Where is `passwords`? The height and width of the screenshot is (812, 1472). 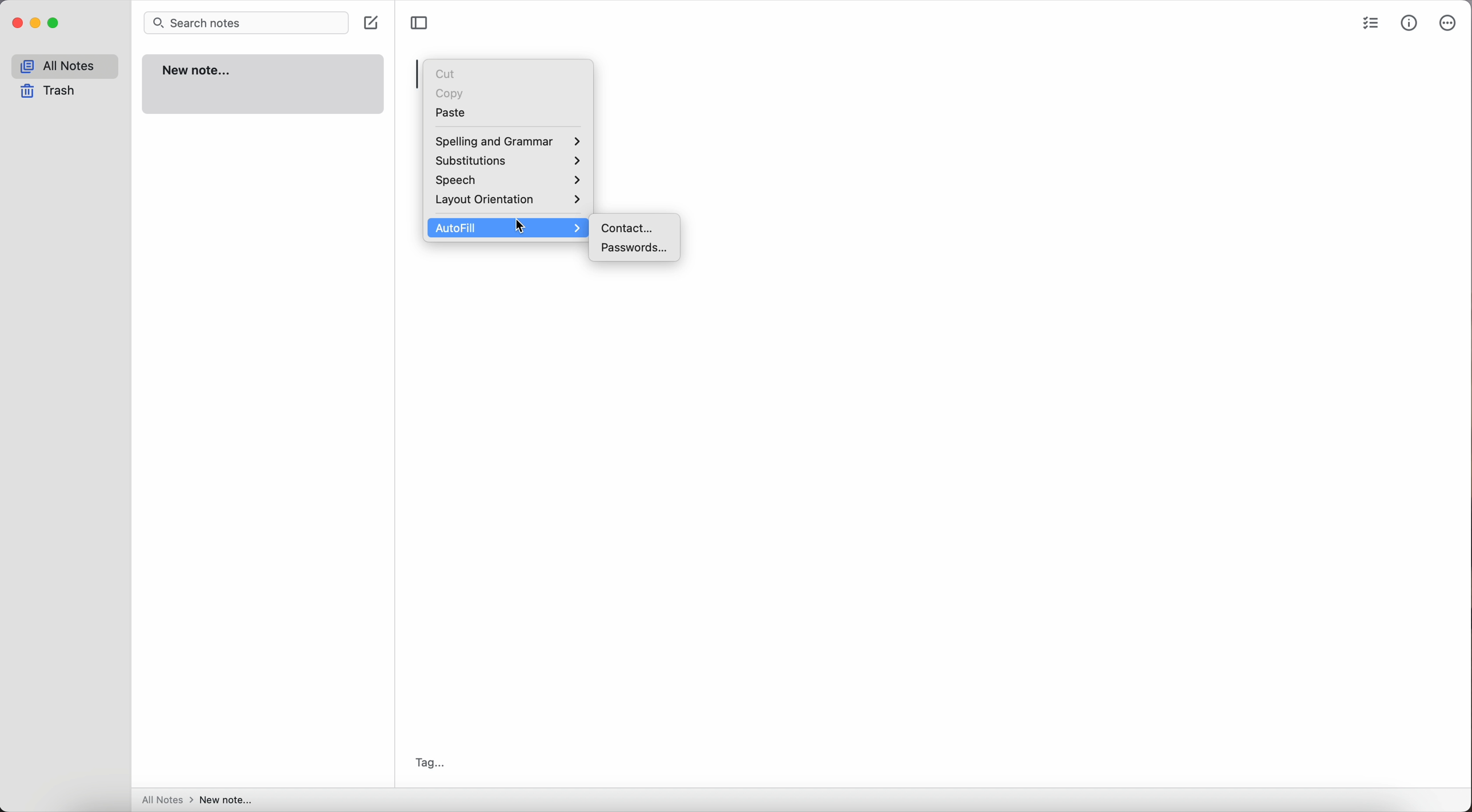
passwords is located at coordinates (636, 248).